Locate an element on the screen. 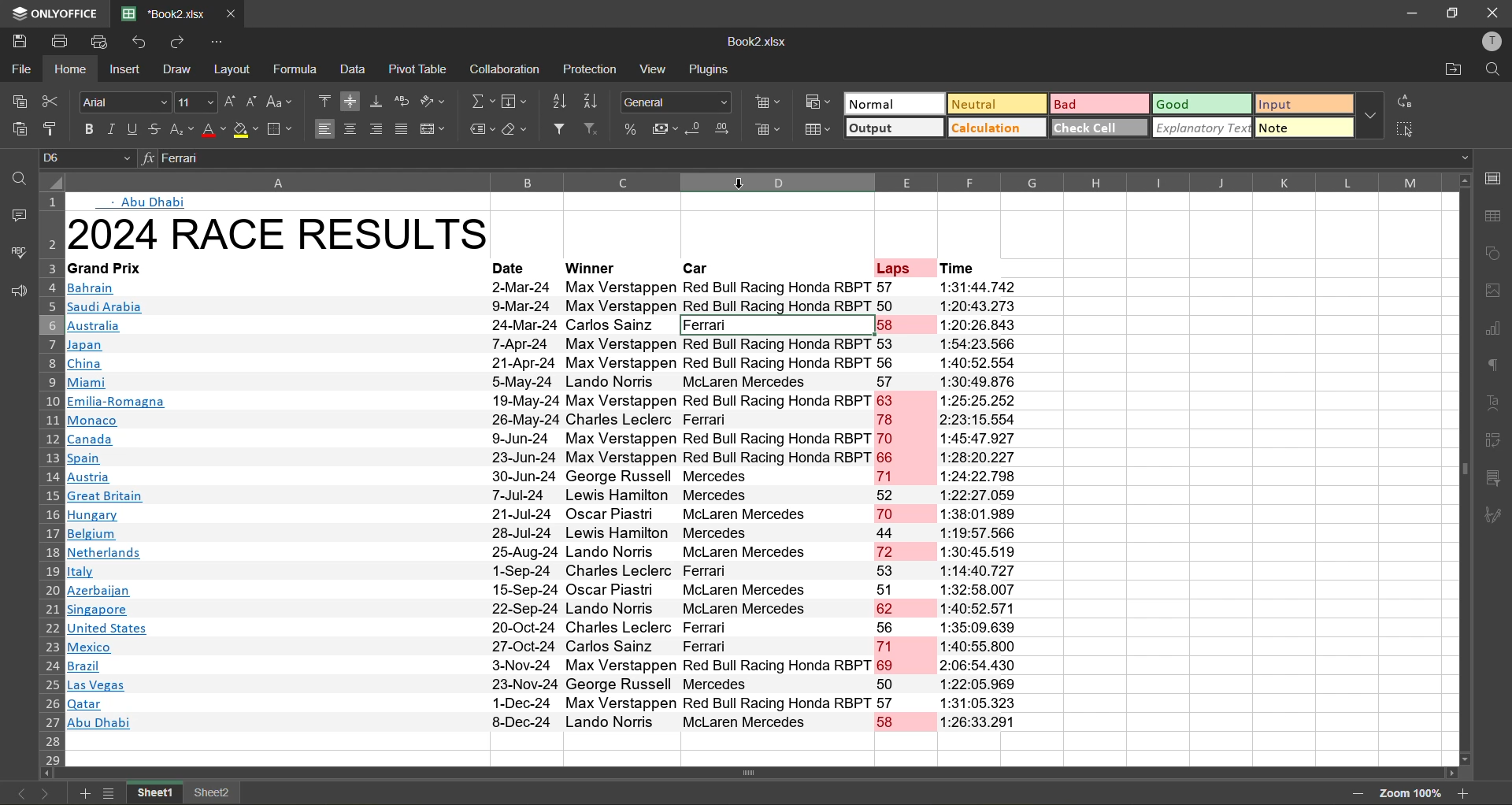 The height and width of the screenshot is (805, 1512). plugins is located at coordinates (709, 69).